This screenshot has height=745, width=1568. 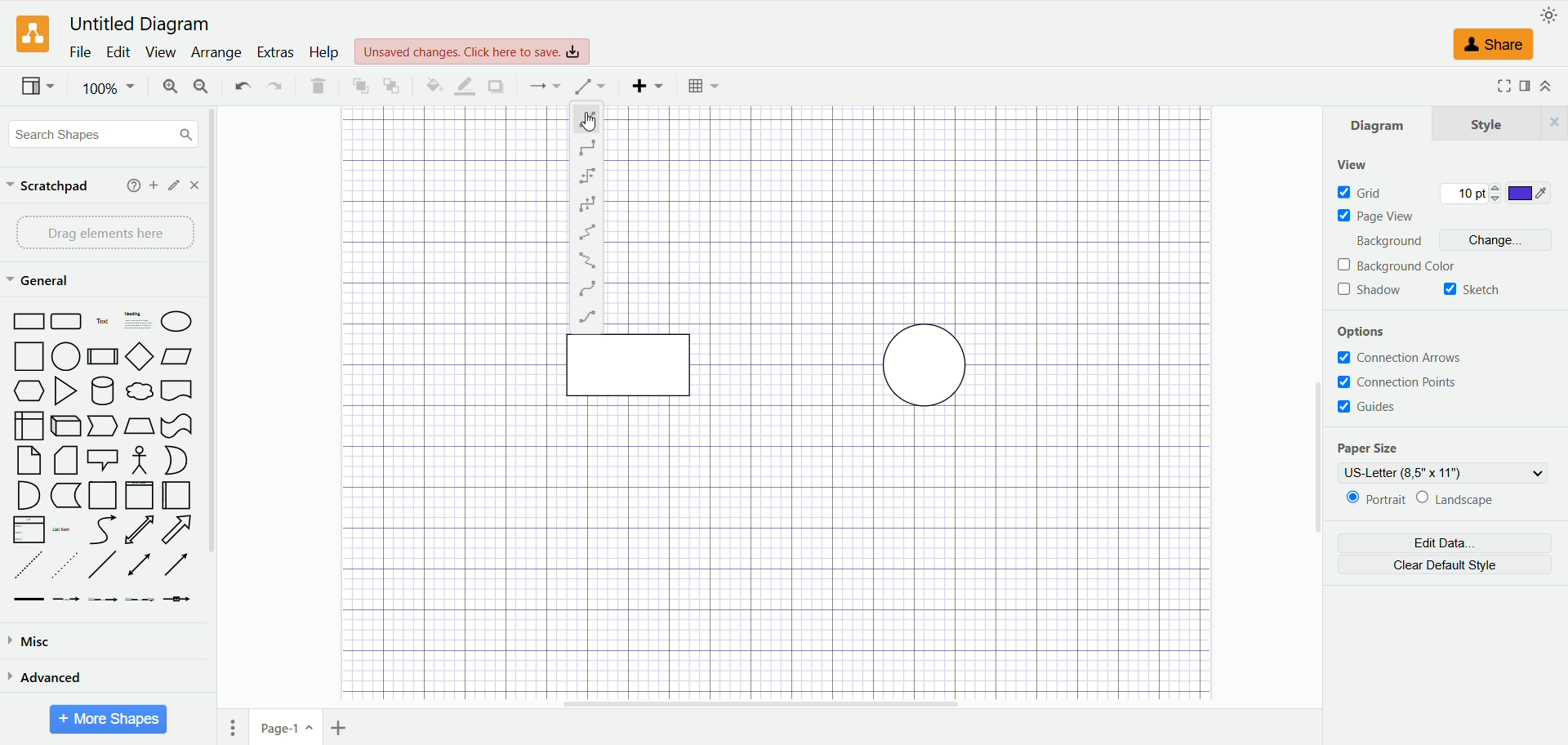 I want to click on connection, so click(x=545, y=85).